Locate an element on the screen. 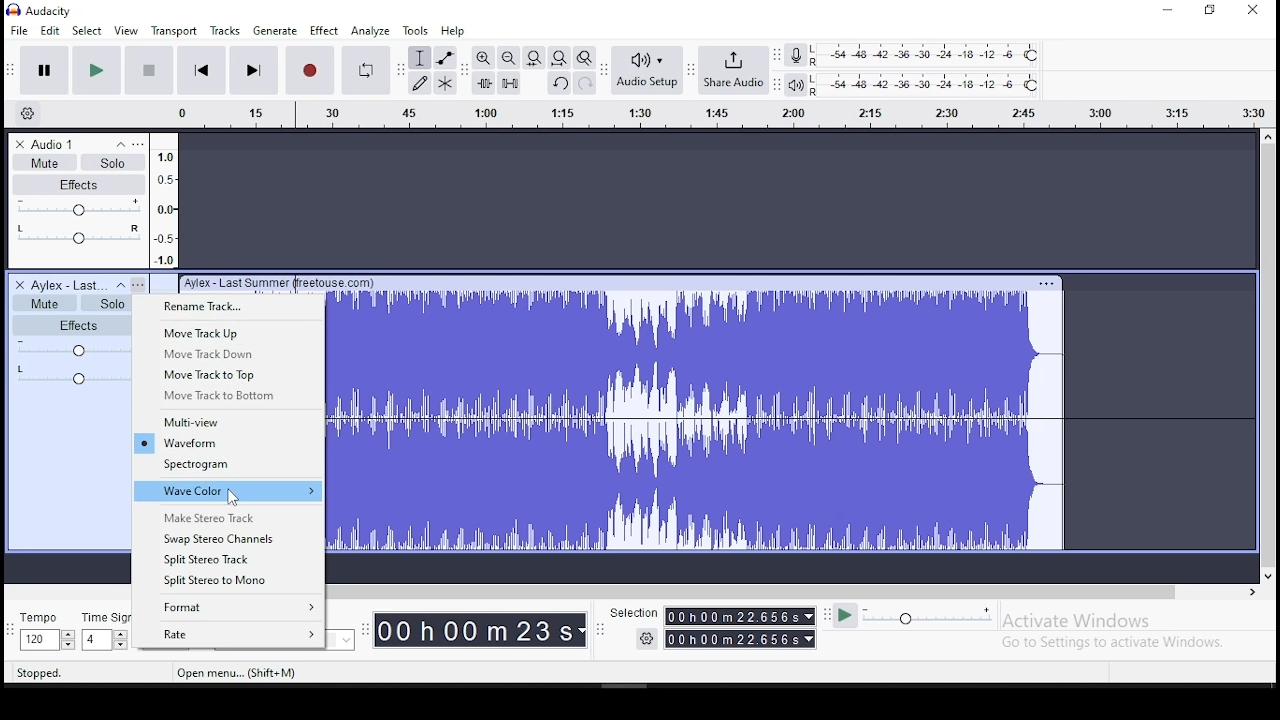 The height and width of the screenshot is (720, 1280). 00 h 00 m 23 s is located at coordinates (479, 631).